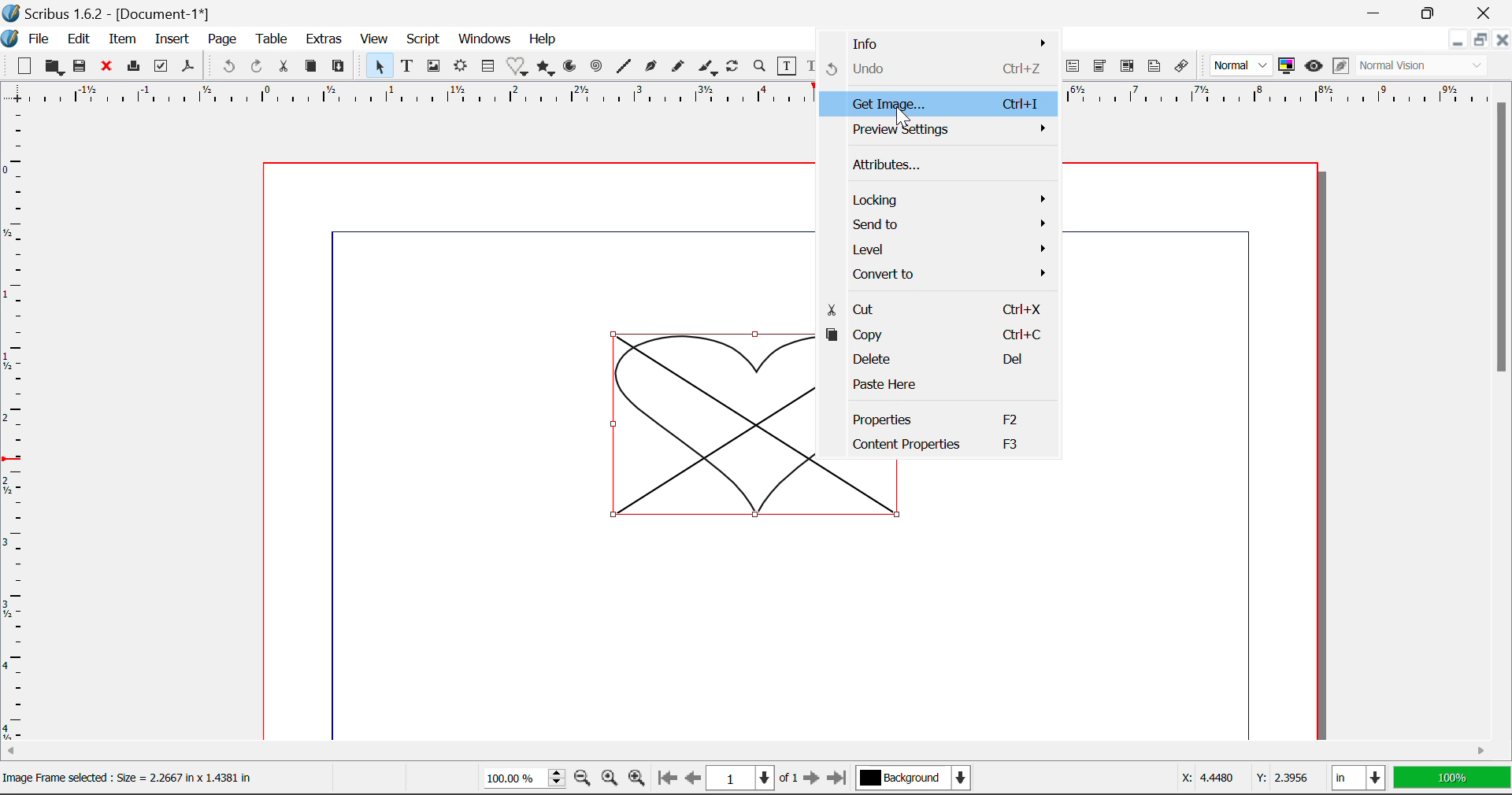 The width and height of the screenshot is (1512, 795). I want to click on Edit Text in Story Editor, so click(813, 67).